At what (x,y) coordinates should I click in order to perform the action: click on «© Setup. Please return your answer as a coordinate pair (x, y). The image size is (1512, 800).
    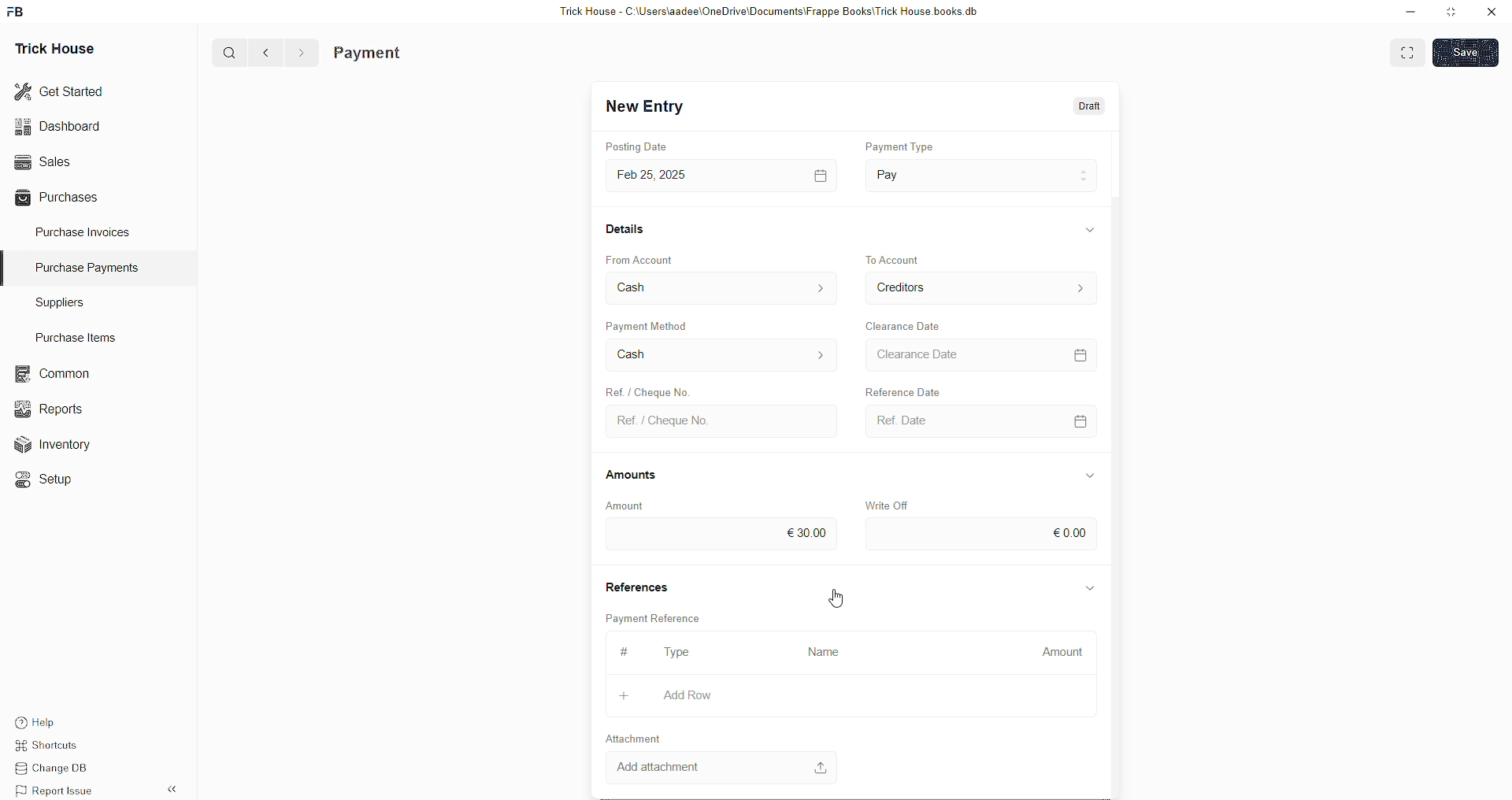
    Looking at the image, I should click on (49, 480).